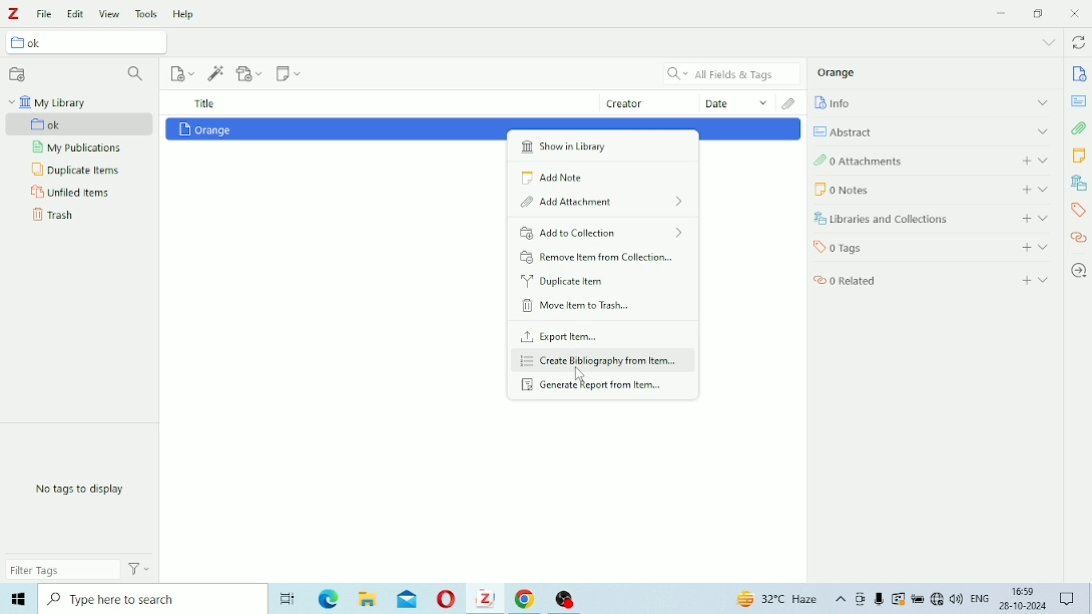  I want to click on 16:59, so click(1024, 589).